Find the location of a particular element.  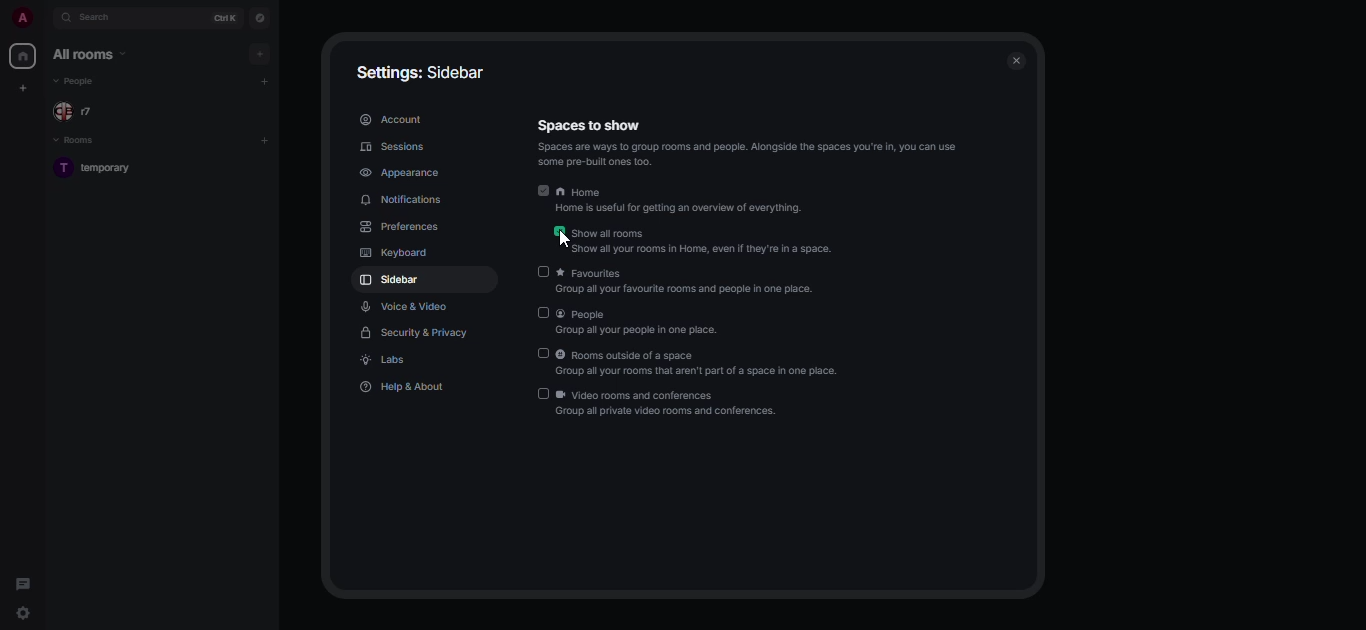

info is located at coordinates (752, 155).